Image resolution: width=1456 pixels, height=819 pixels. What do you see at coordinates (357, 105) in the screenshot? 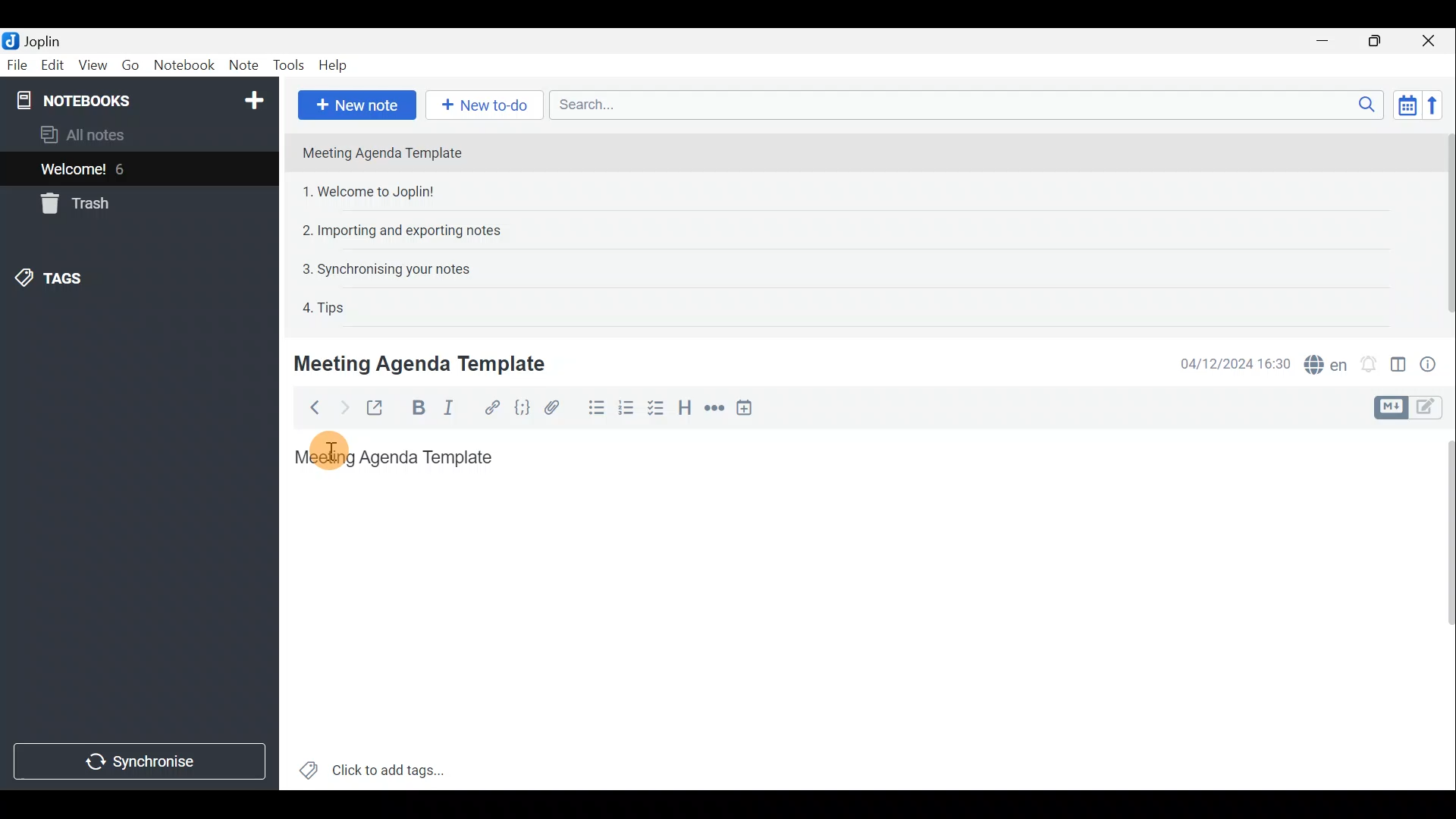
I see `New note` at bounding box center [357, 105].